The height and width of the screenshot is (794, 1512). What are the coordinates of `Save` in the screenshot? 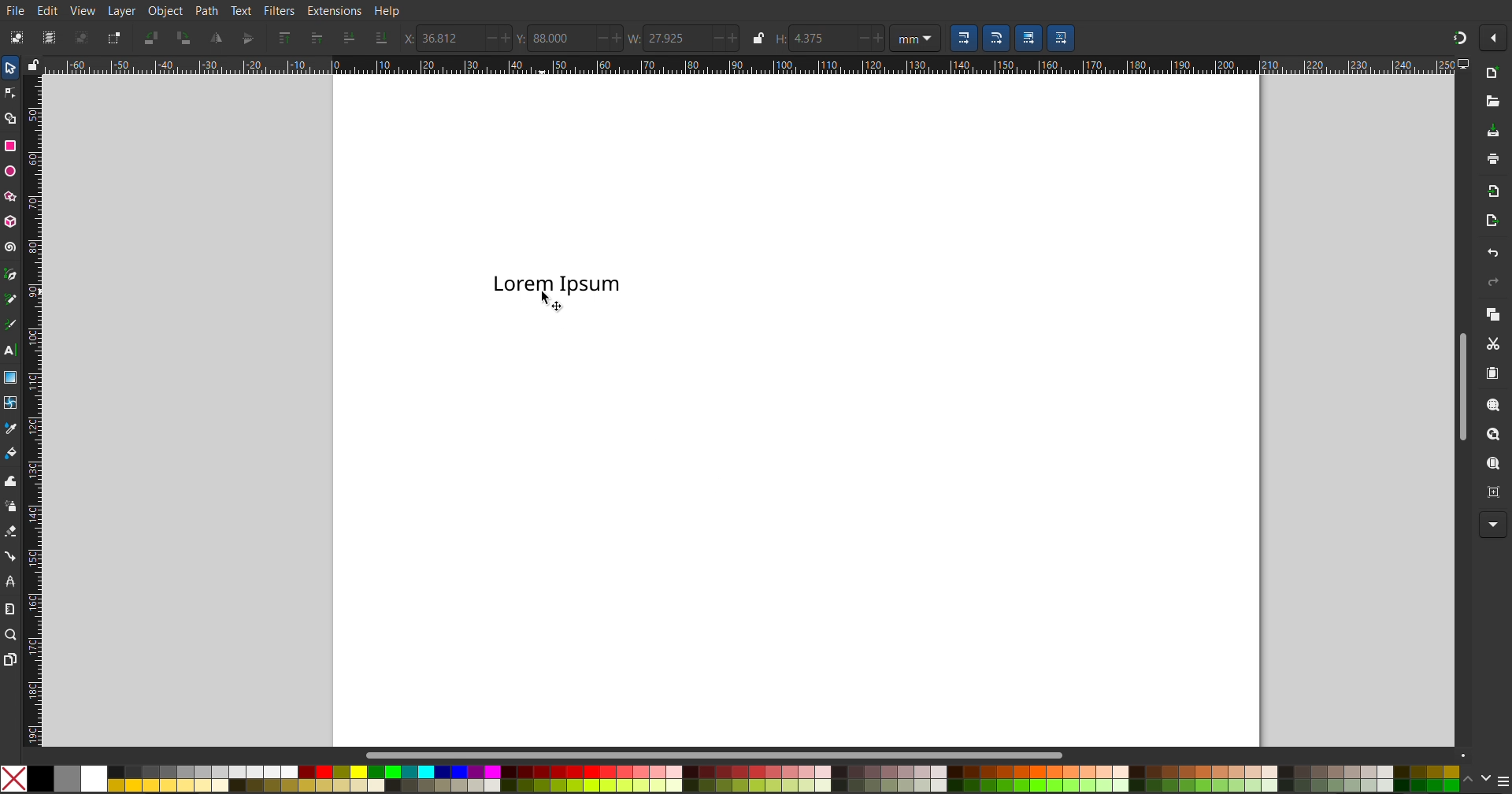 It's located at (1493, 132).